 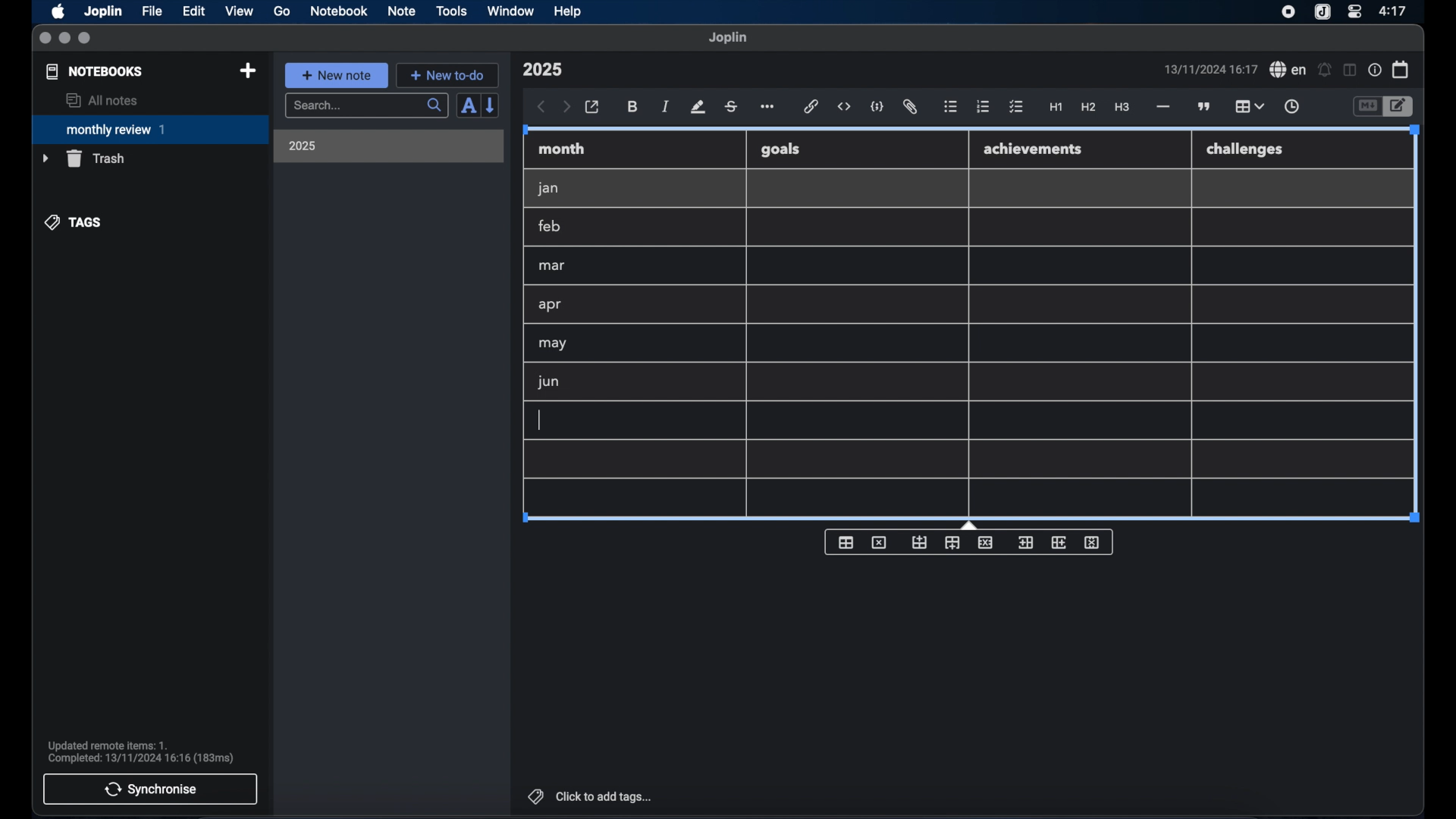 I want to click on control center, so click(x=1354, y=11).